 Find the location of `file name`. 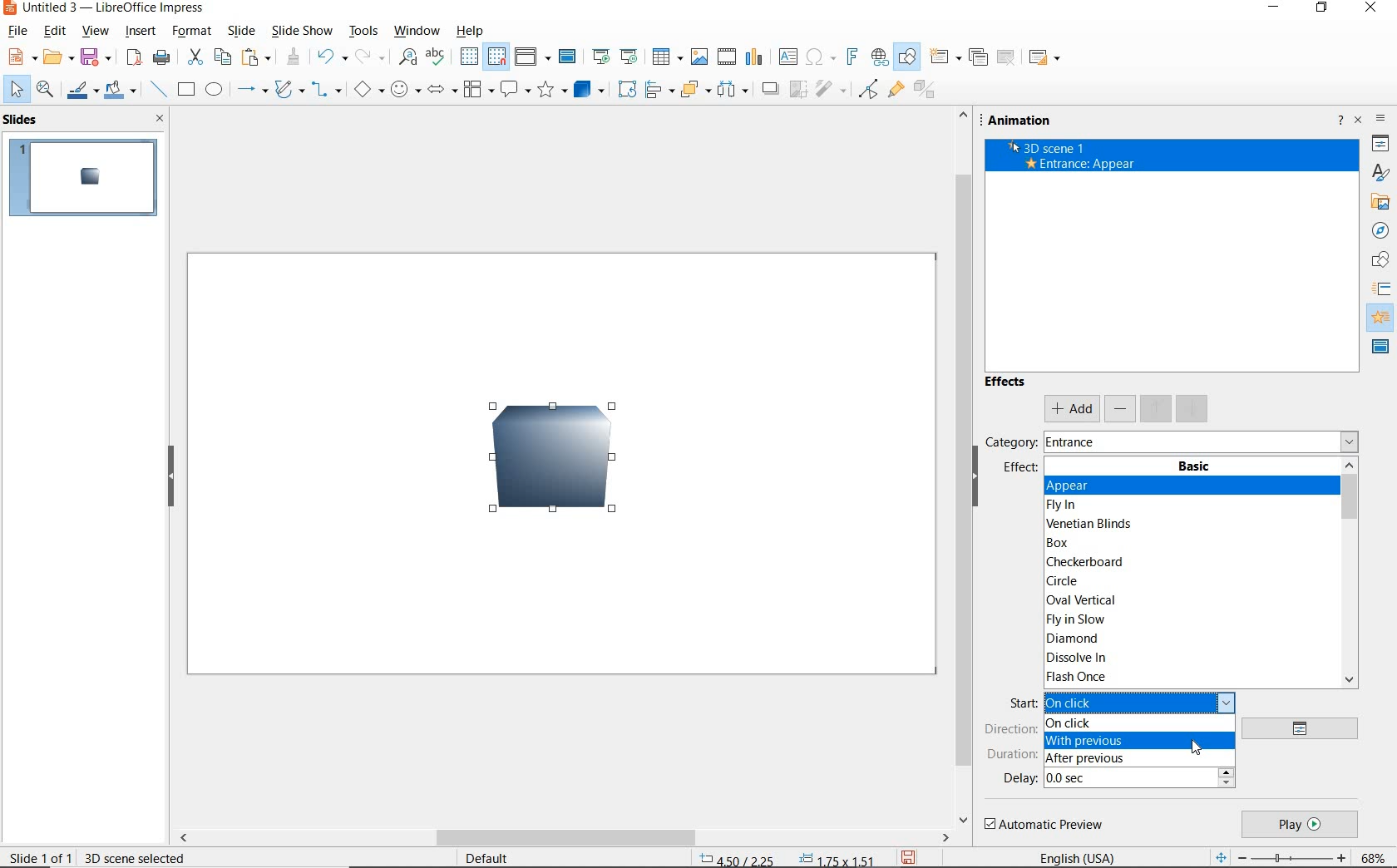

file name is located at coordinates (106, 9).